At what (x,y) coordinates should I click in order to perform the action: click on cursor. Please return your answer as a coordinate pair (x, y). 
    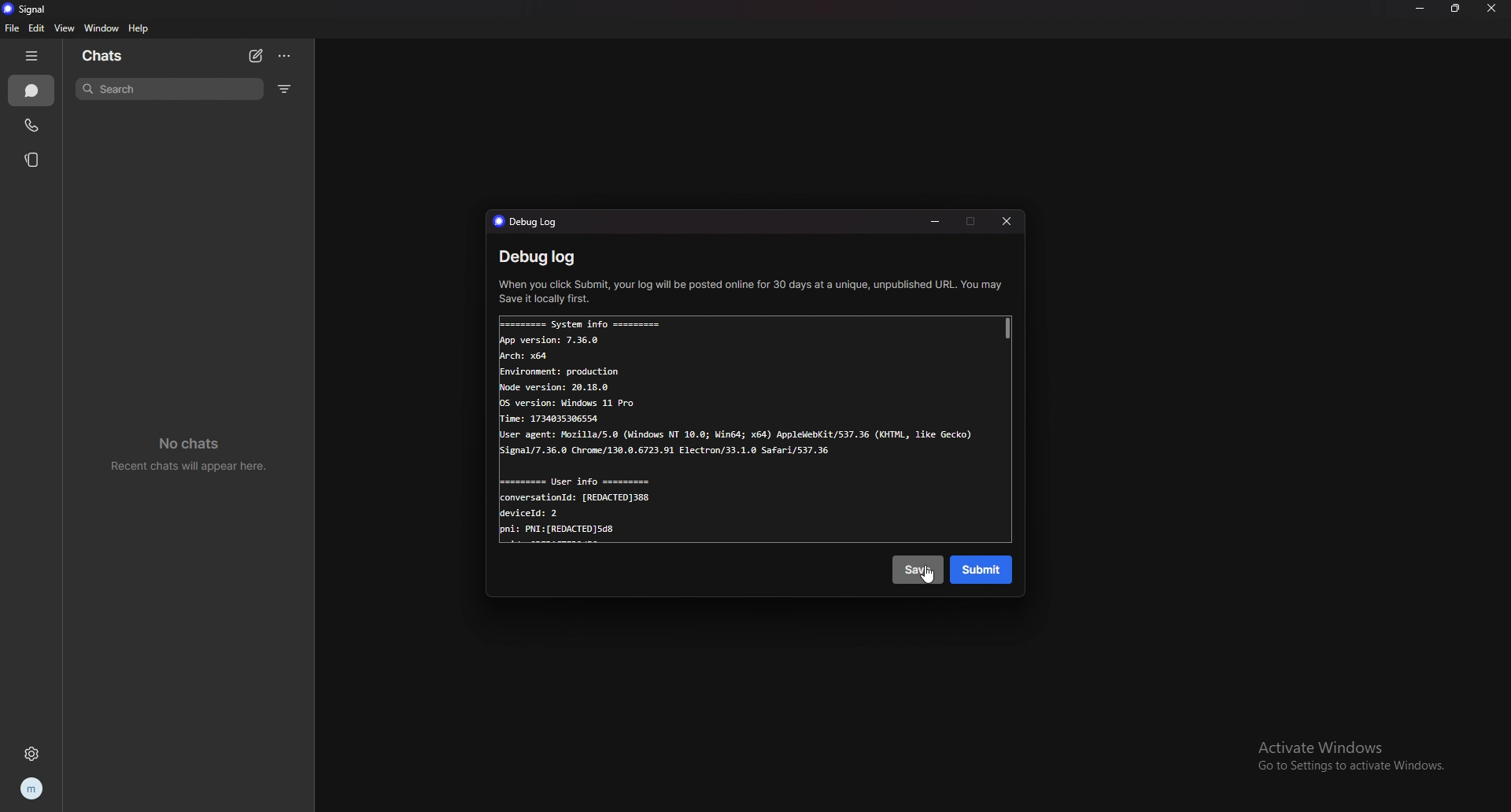
    Looking at the image, I should click on (927, 573).